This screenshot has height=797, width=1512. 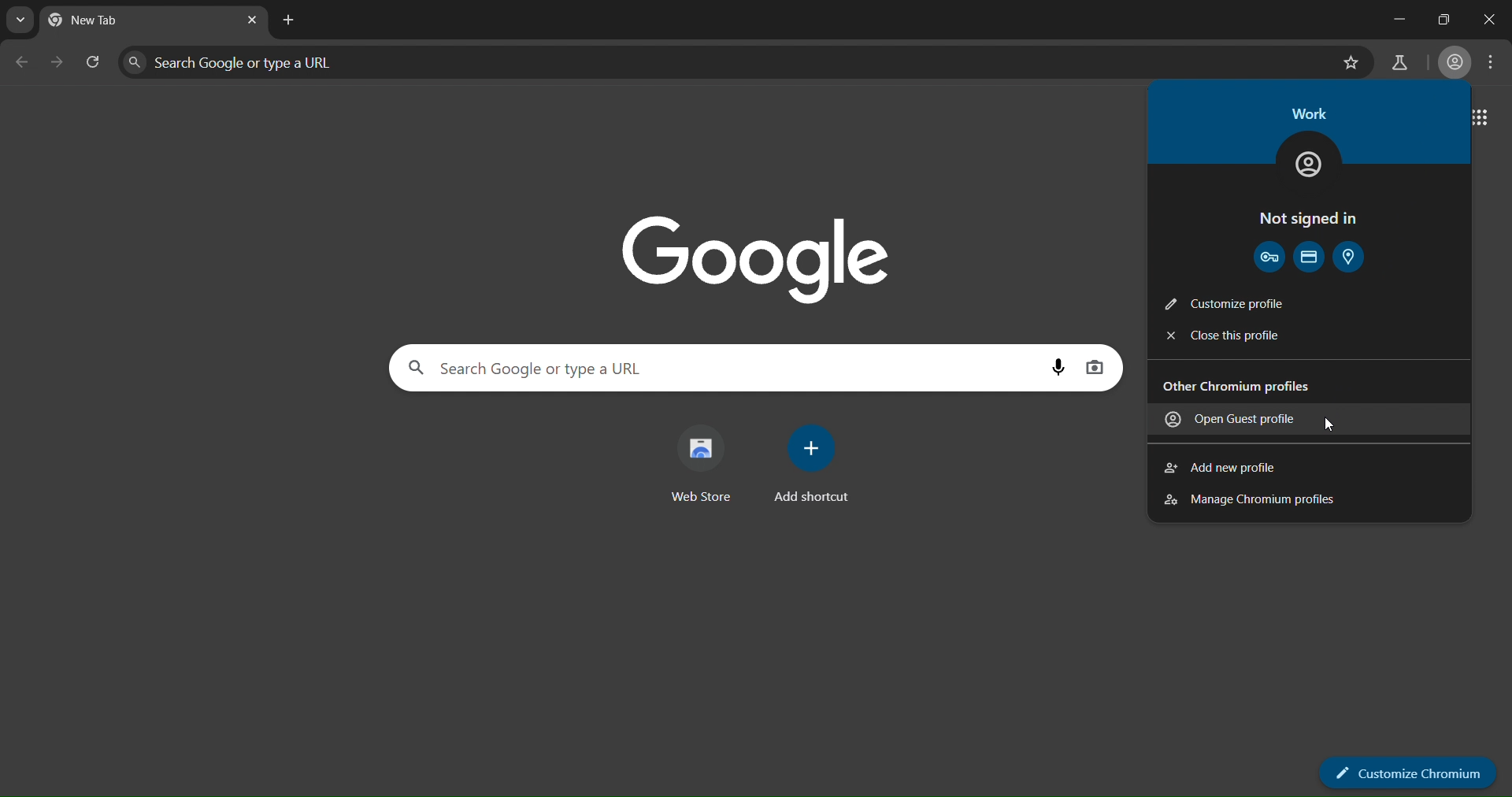 I want to click on bookmark page, so click(x=1351, y=63).